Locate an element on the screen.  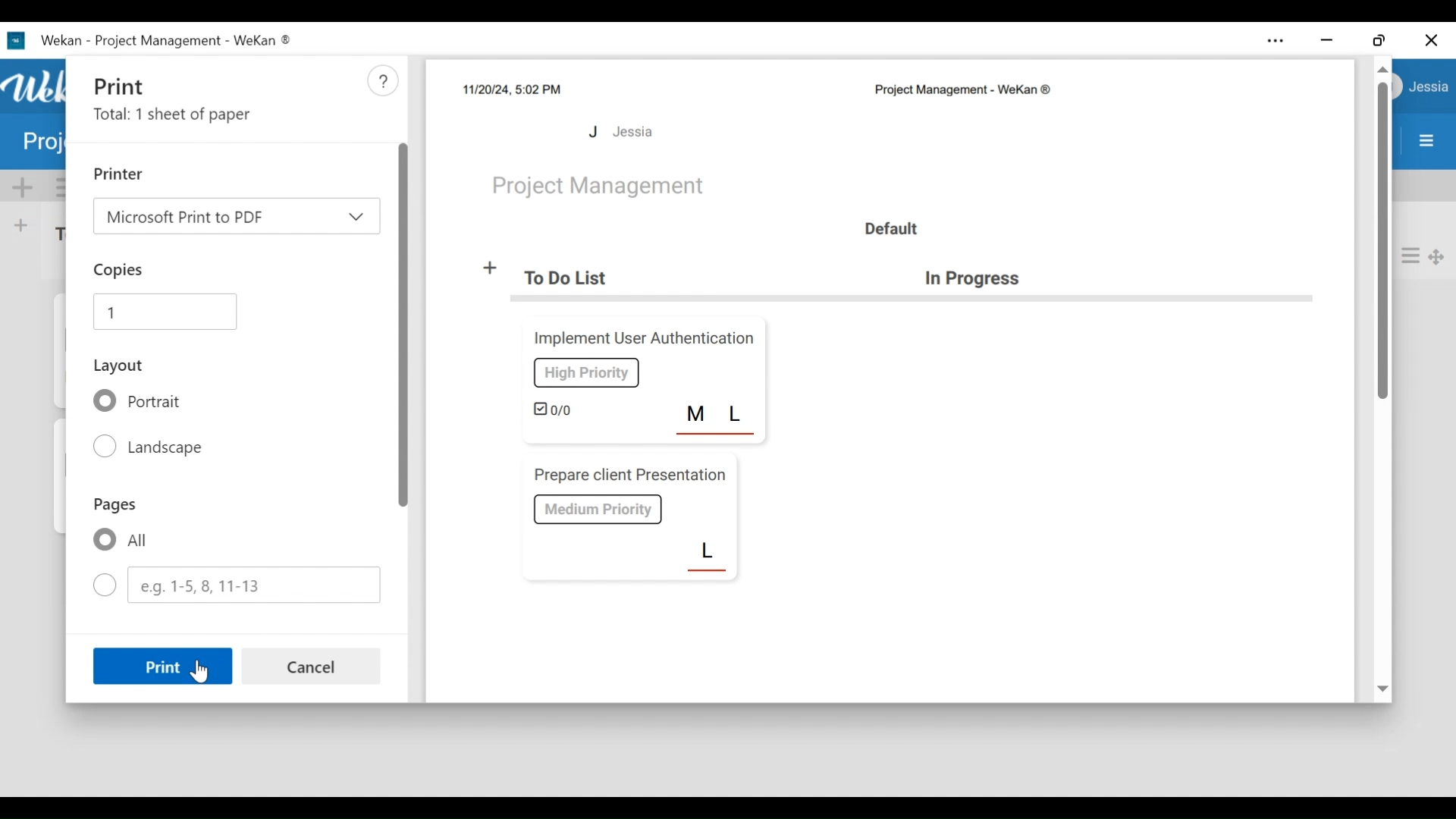
Copy Field is located at coordinates (166, 309).